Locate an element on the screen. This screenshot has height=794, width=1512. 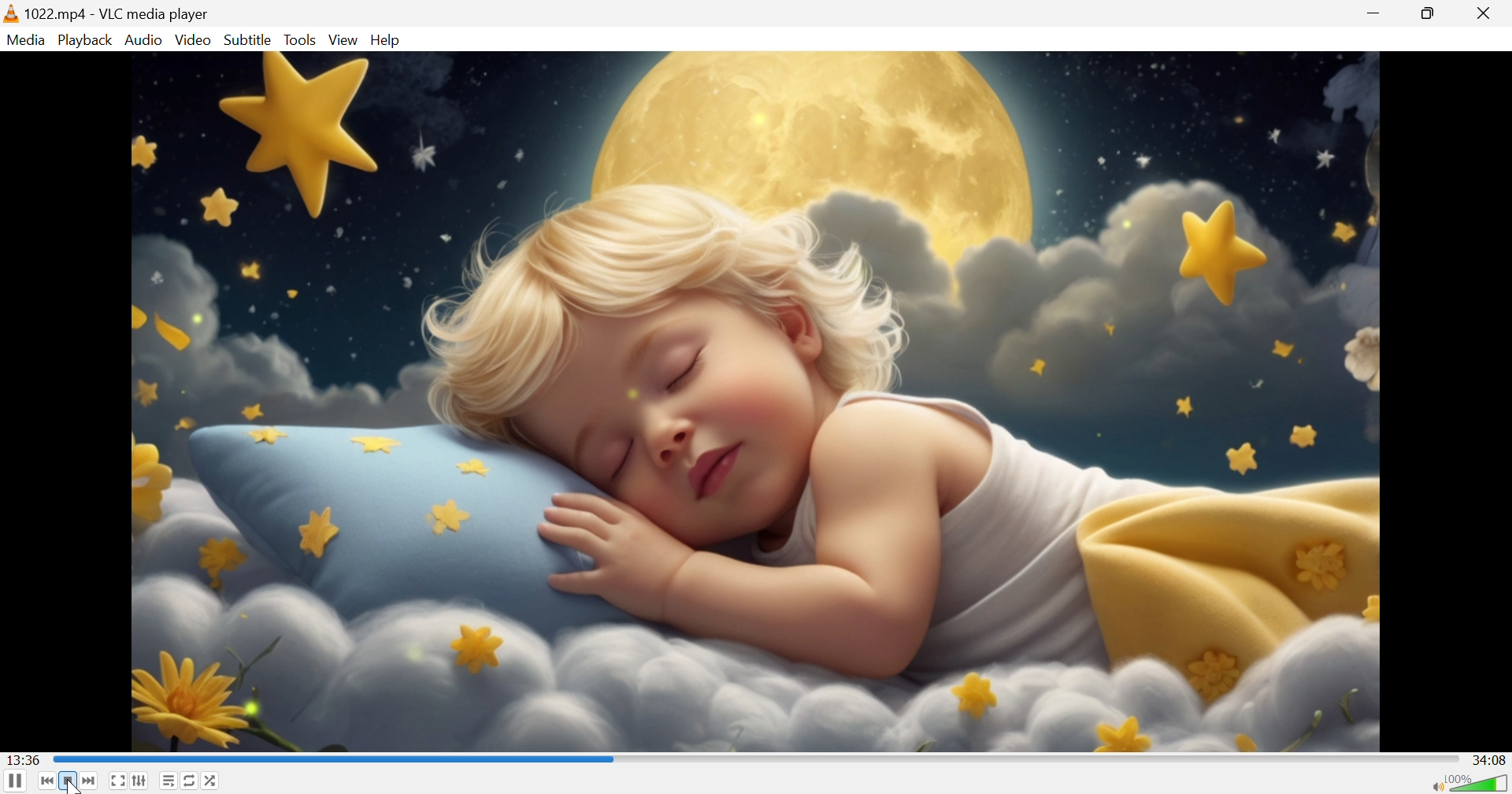
1022.mp4 - VLC media player is located at coordinates (106, 13).